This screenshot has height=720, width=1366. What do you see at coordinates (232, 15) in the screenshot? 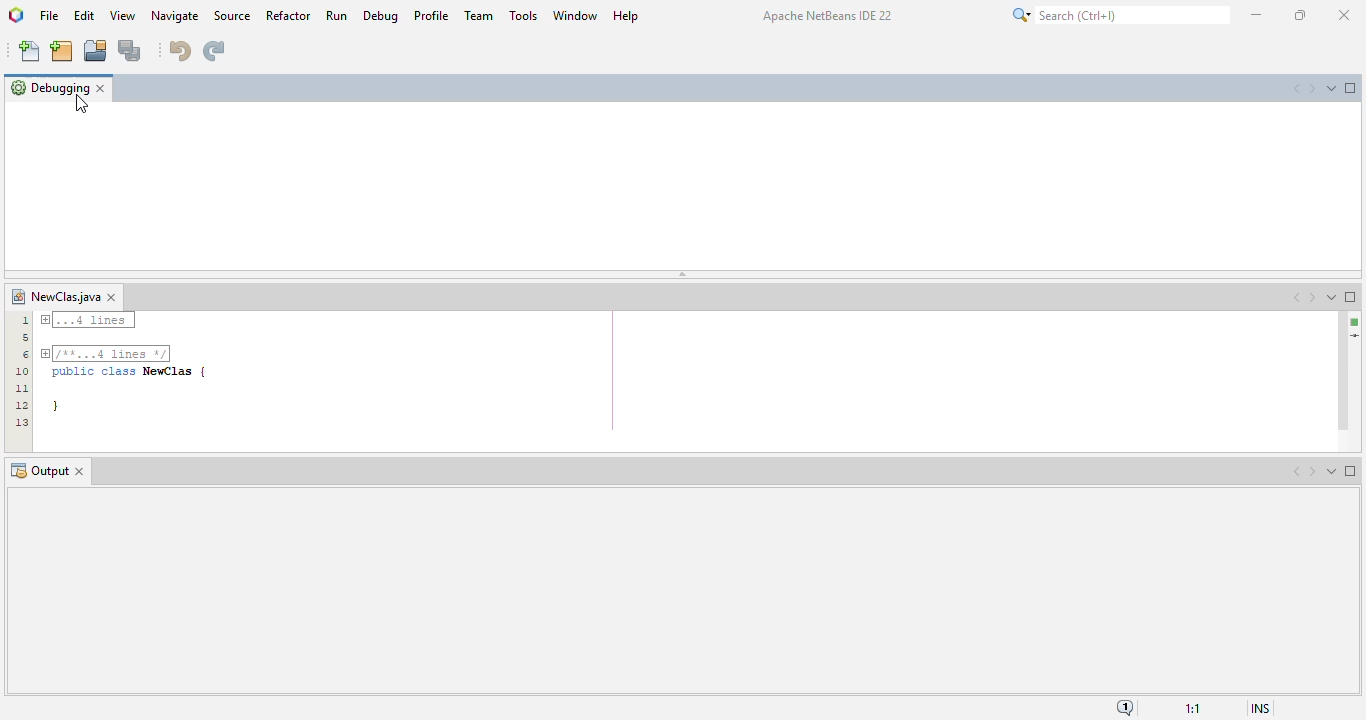
I see `source` at bounding box center [232, 15].